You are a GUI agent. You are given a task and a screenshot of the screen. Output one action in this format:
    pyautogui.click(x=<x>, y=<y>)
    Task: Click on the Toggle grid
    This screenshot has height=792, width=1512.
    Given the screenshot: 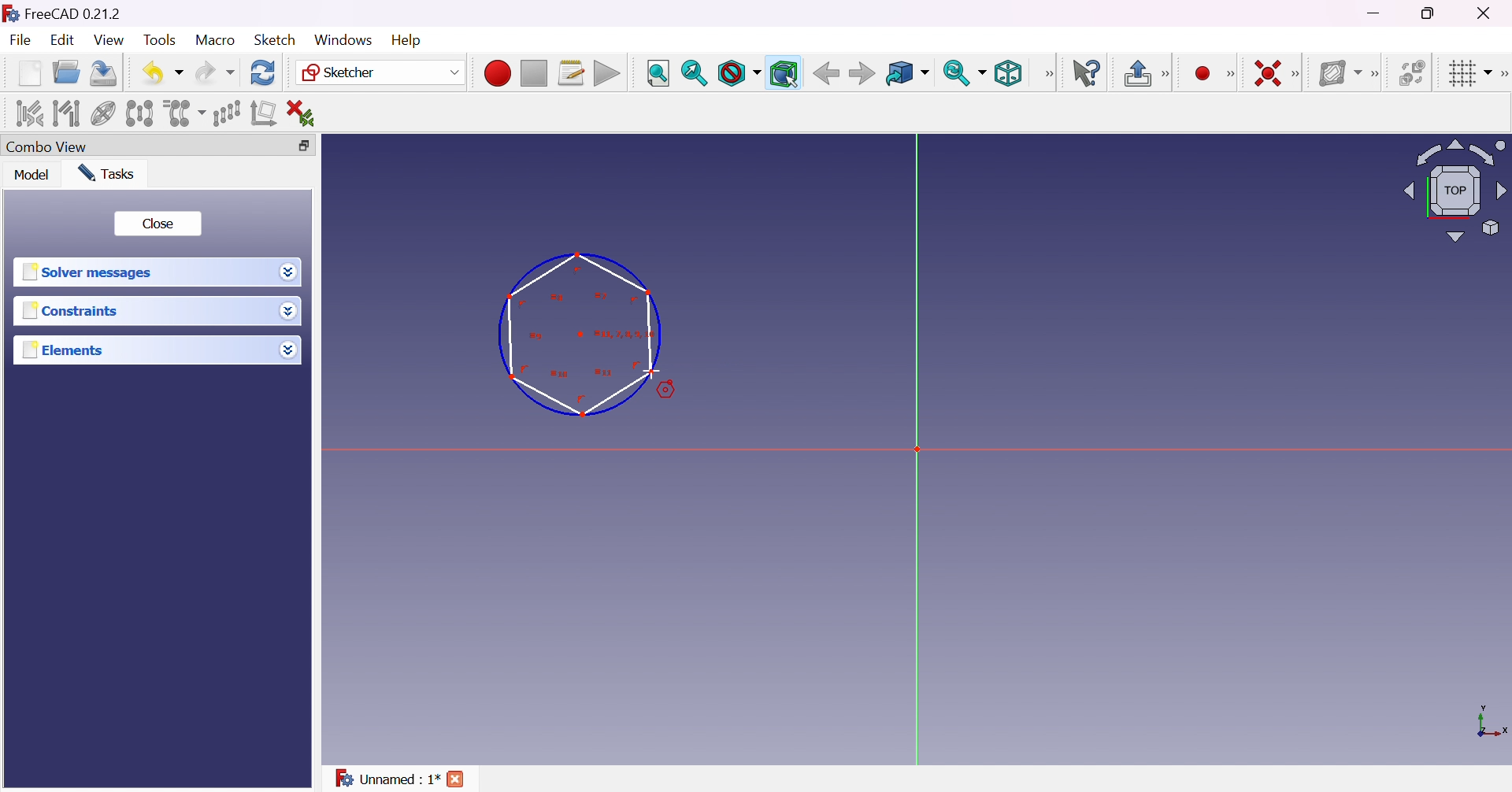 What is the action you would take?
    pyautogui.click(x=1471, y=74)
    